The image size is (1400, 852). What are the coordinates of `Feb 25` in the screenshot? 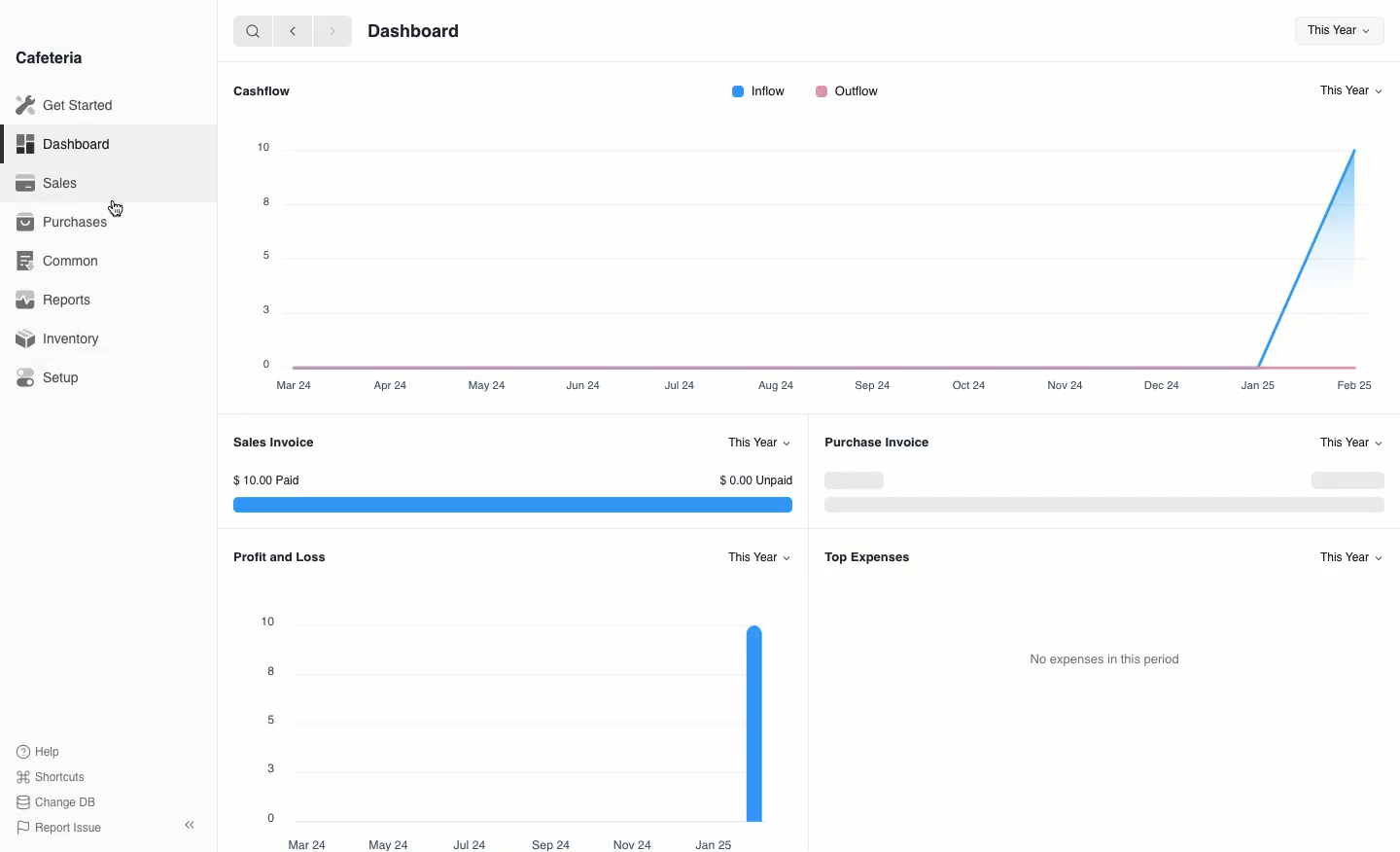 It's located at (1346, 384).